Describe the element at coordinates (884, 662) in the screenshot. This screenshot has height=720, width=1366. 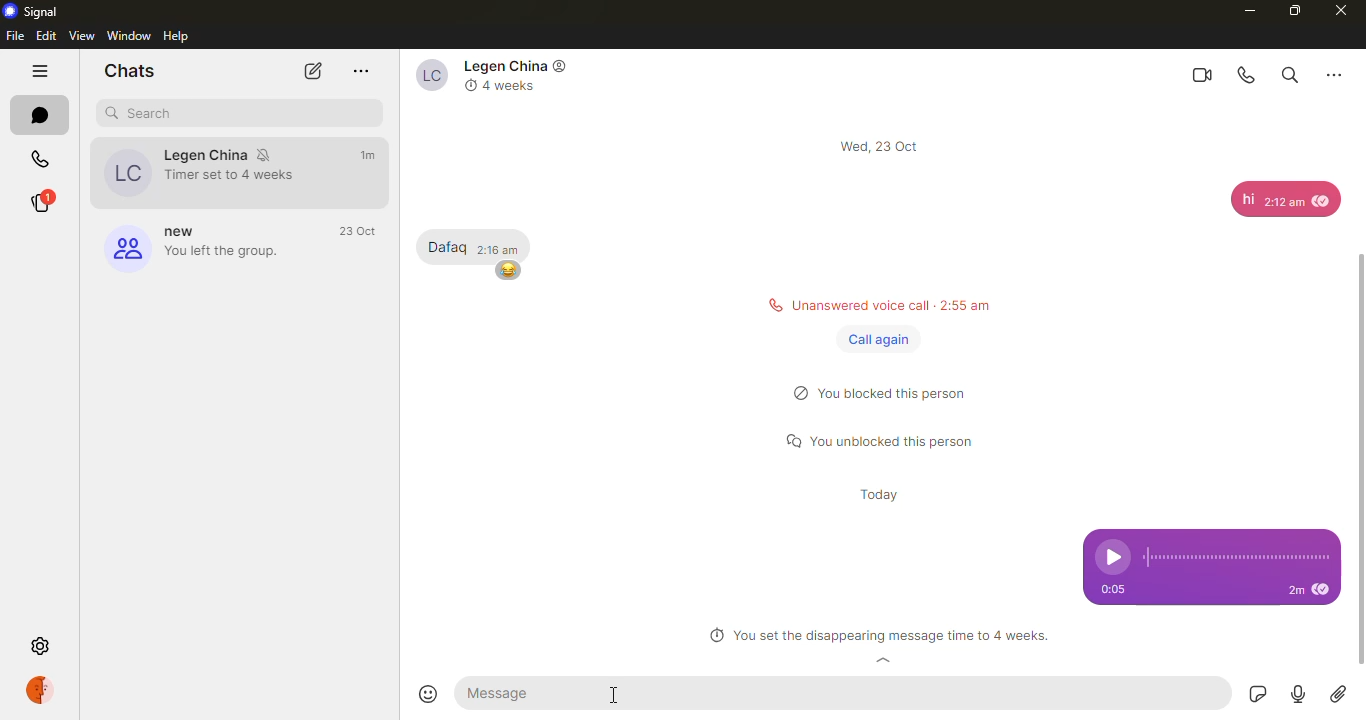
I see `expand` at that location.